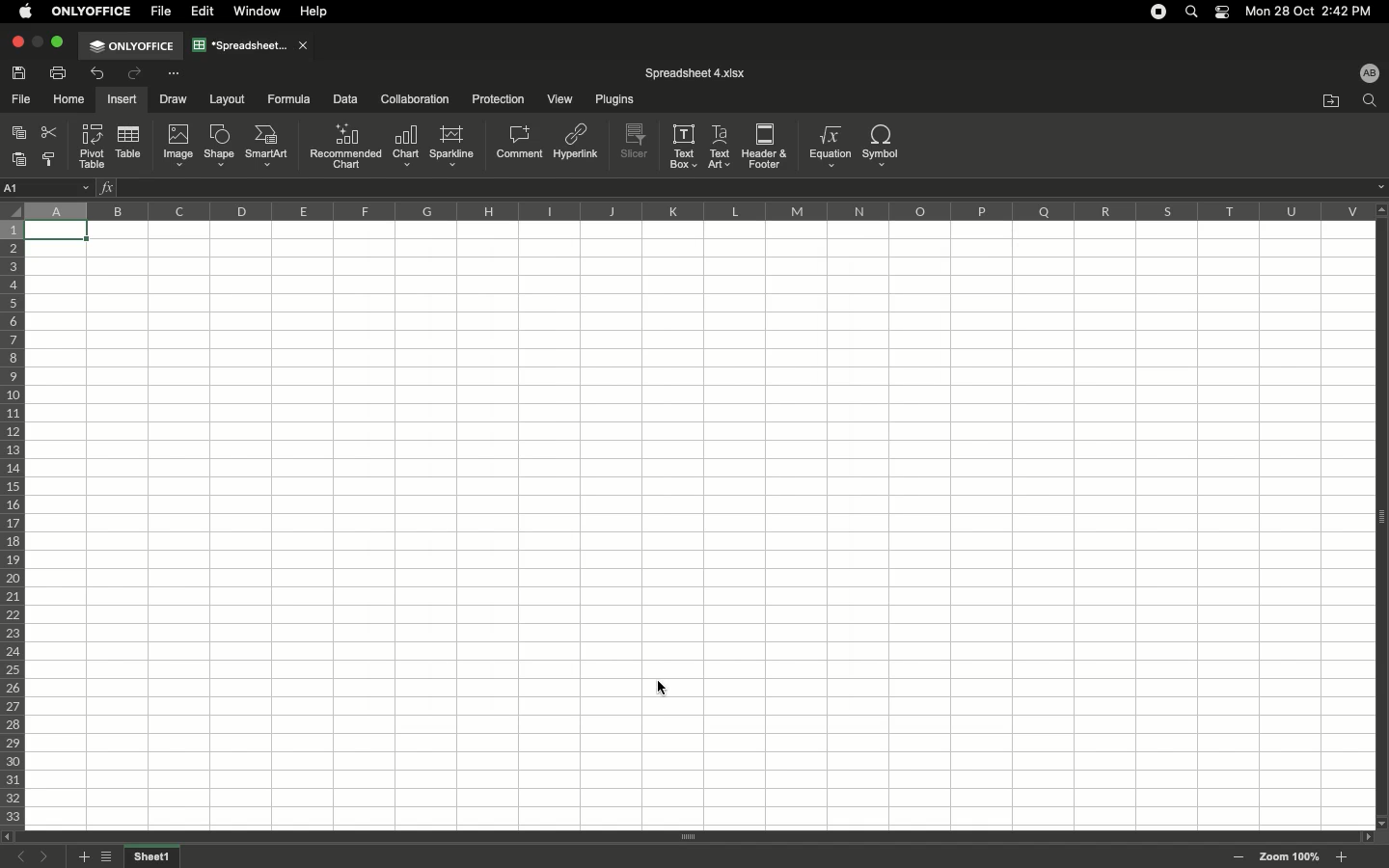 Image resolution: width=1389 pixels, height=868 pixels. Describe the element at coordinates (93, 12) in the screenshot. I see `OnlyOffice` at that location.